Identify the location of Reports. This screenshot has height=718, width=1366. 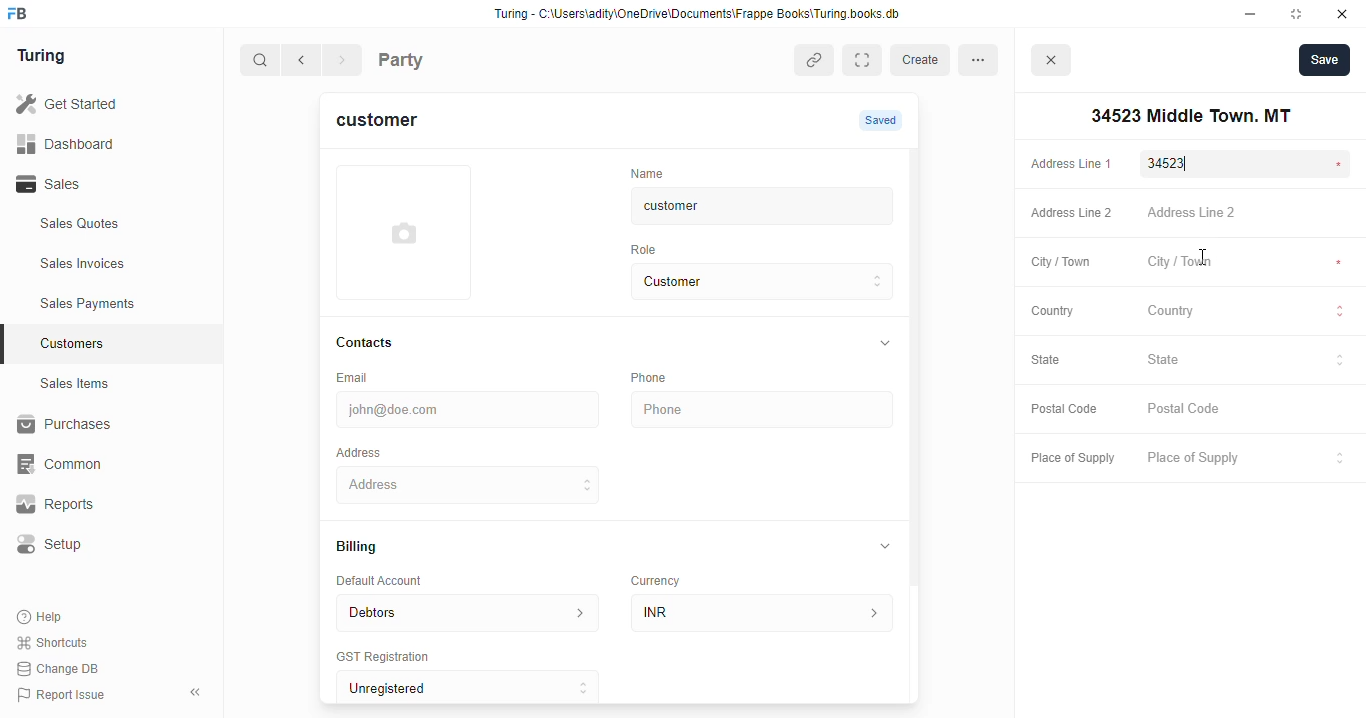
(91, 505).